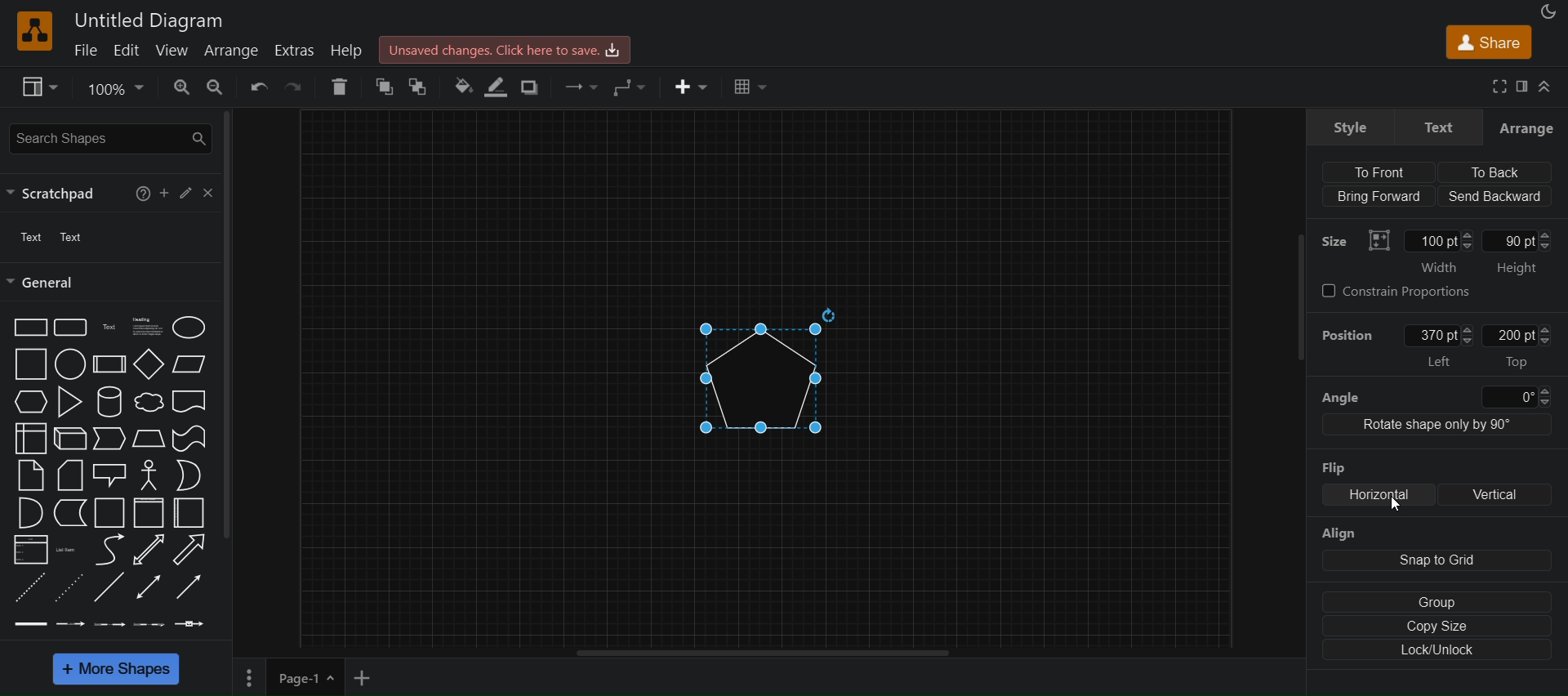 This screenshot has width=1568, height=696. Describe the element at coordinates (1437, 626) in the screenshot. I see `copy size` at that location.